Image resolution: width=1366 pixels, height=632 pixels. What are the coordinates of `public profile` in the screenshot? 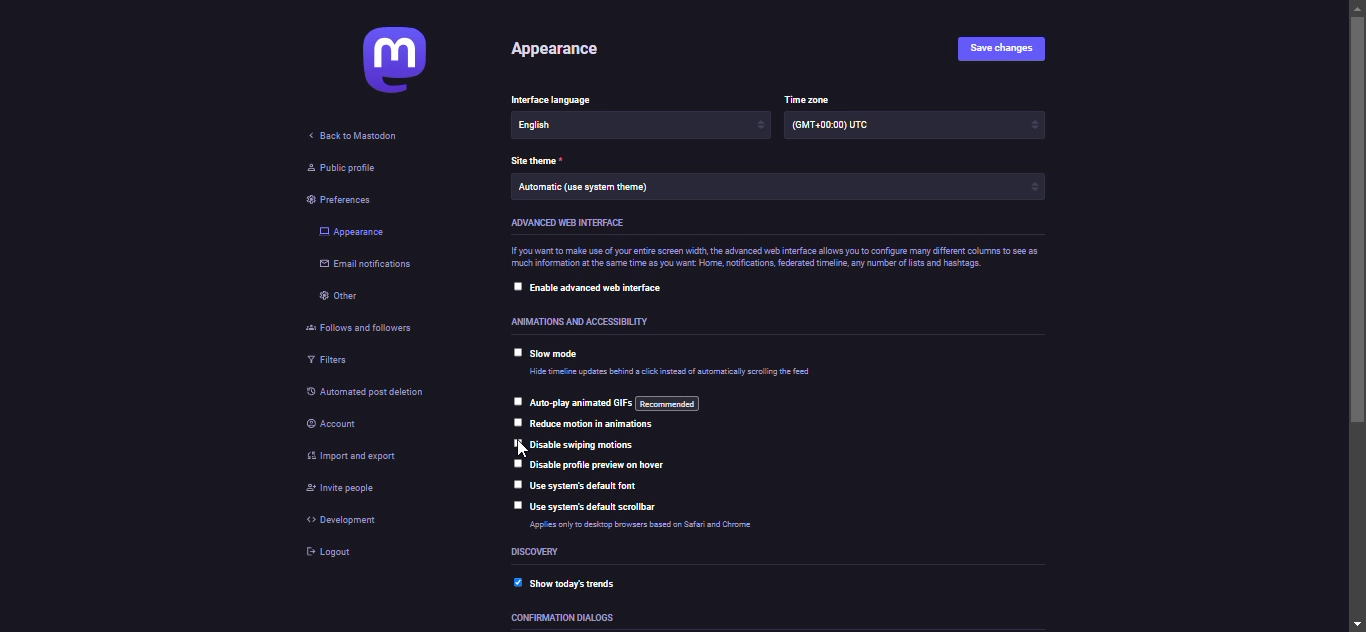 It's located at (350, 167).